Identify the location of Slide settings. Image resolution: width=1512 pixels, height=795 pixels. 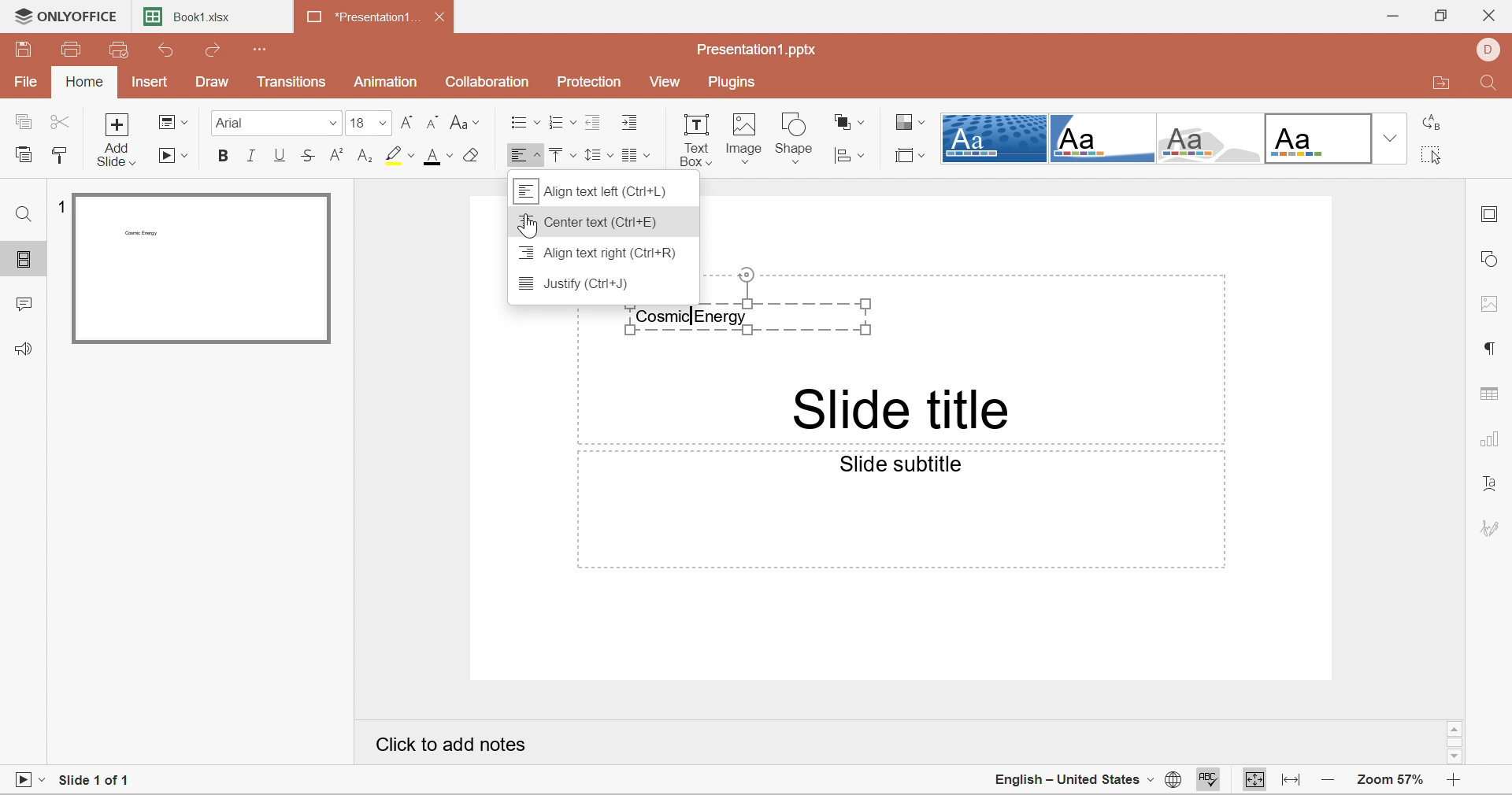
(1490, 217).